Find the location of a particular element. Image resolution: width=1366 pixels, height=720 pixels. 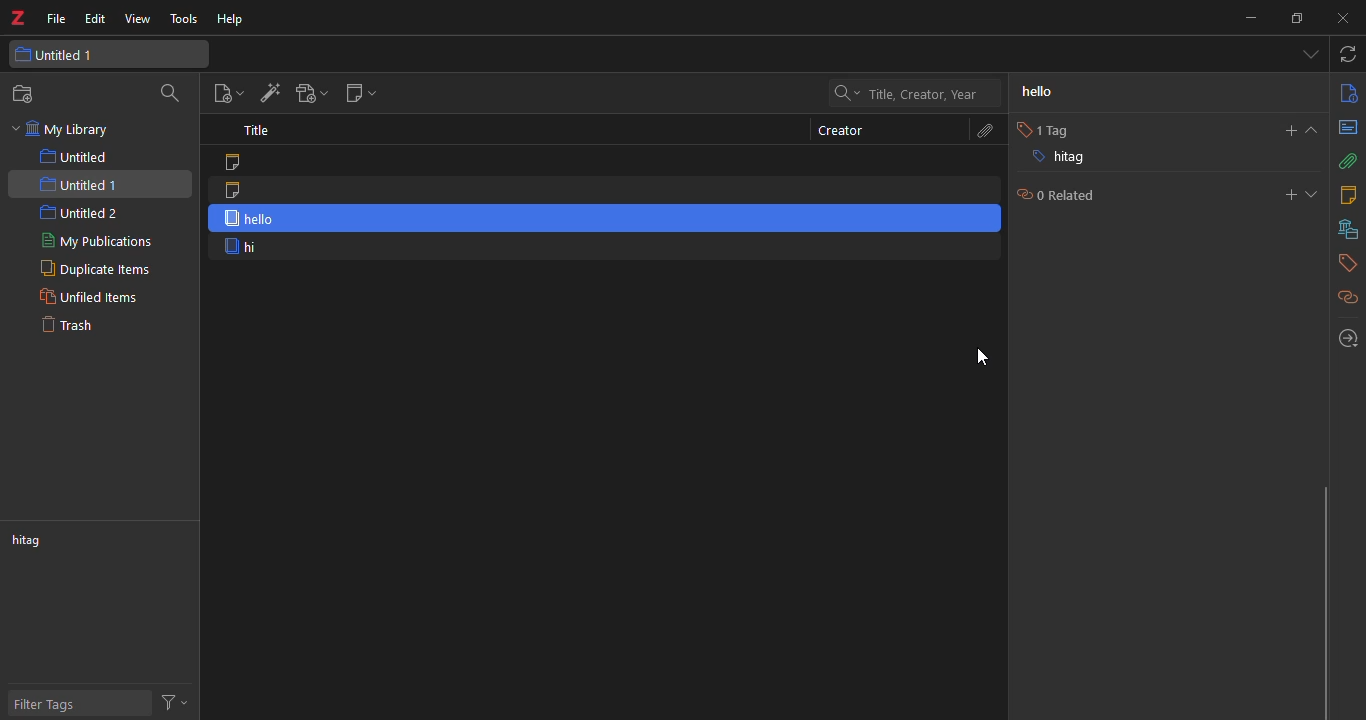

tag added to item is located at coordinates (258, 218).